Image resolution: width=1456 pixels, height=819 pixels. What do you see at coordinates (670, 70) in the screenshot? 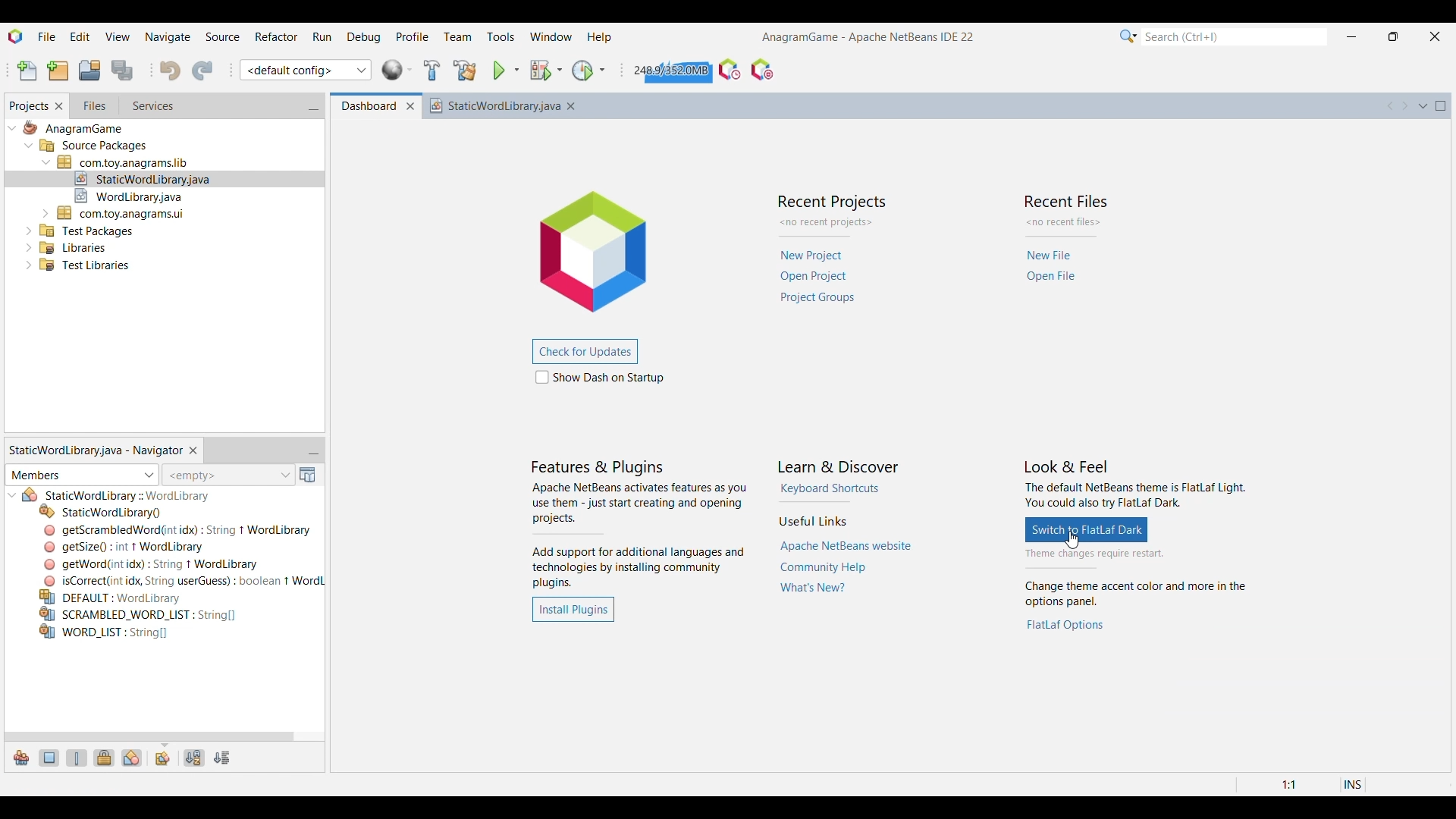
I see `Click to force garbage collection` at bounding box center [670, 70].